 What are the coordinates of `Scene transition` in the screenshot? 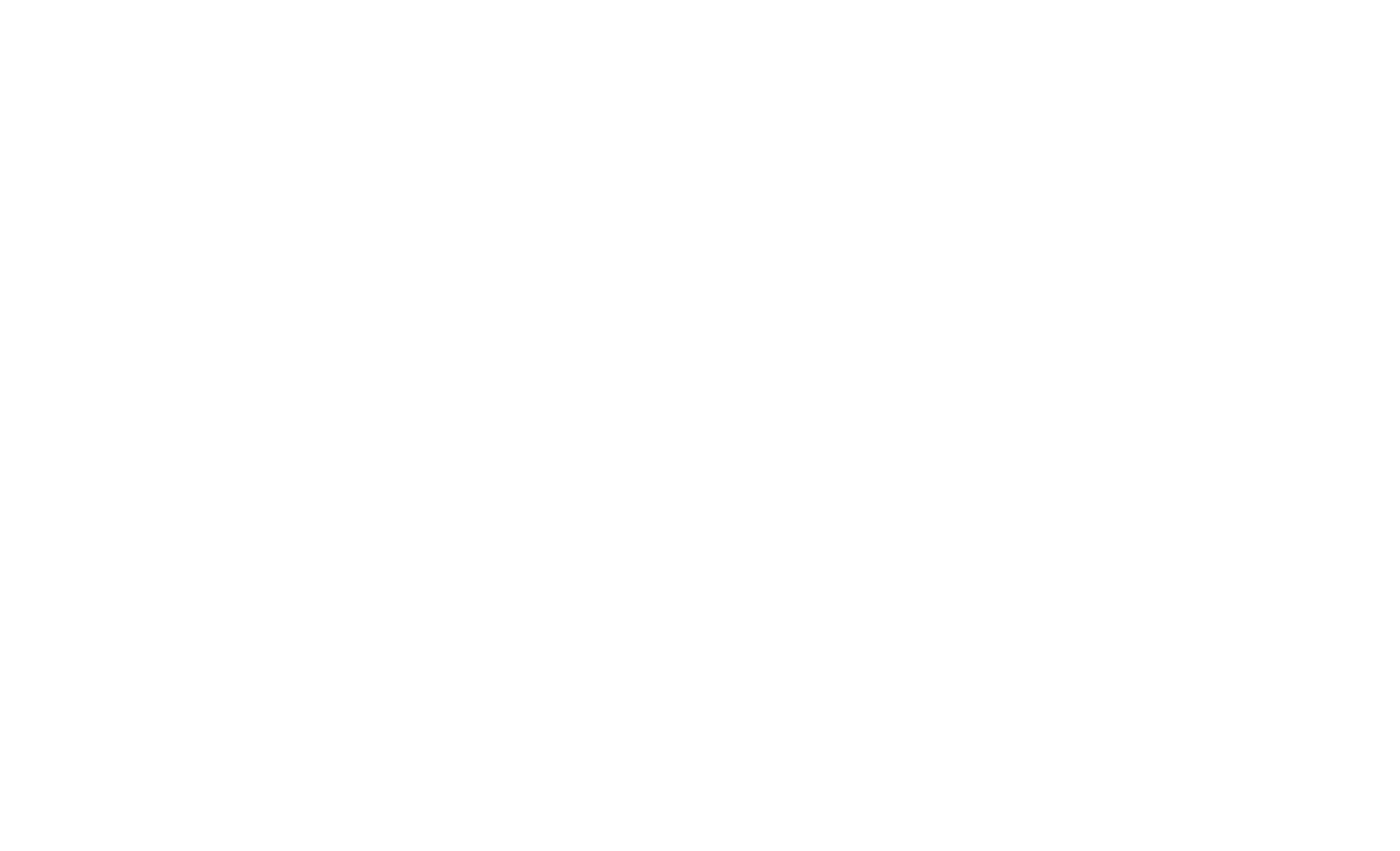 It's located at (996, 562).